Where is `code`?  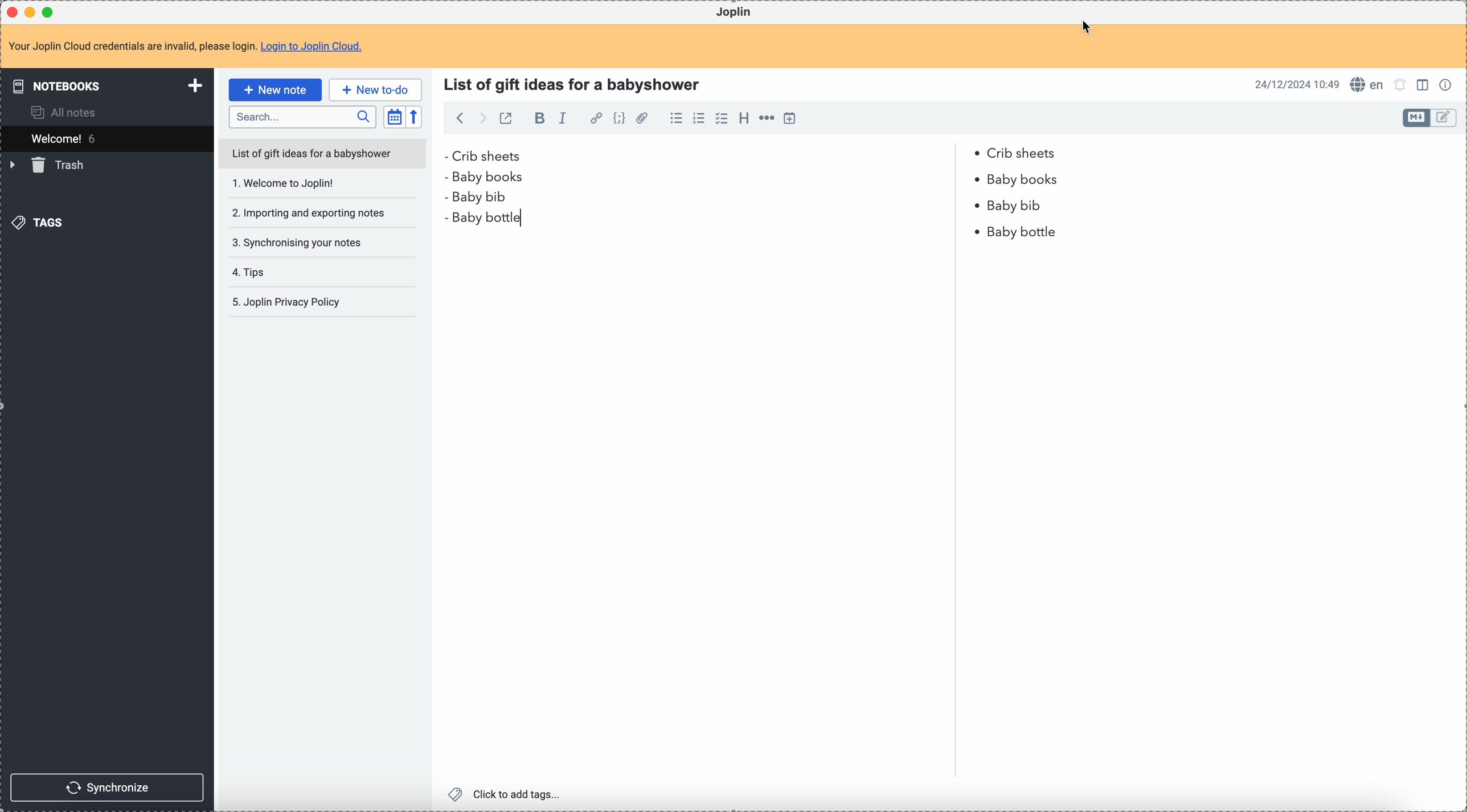 code is located at coordinates (621, 119).